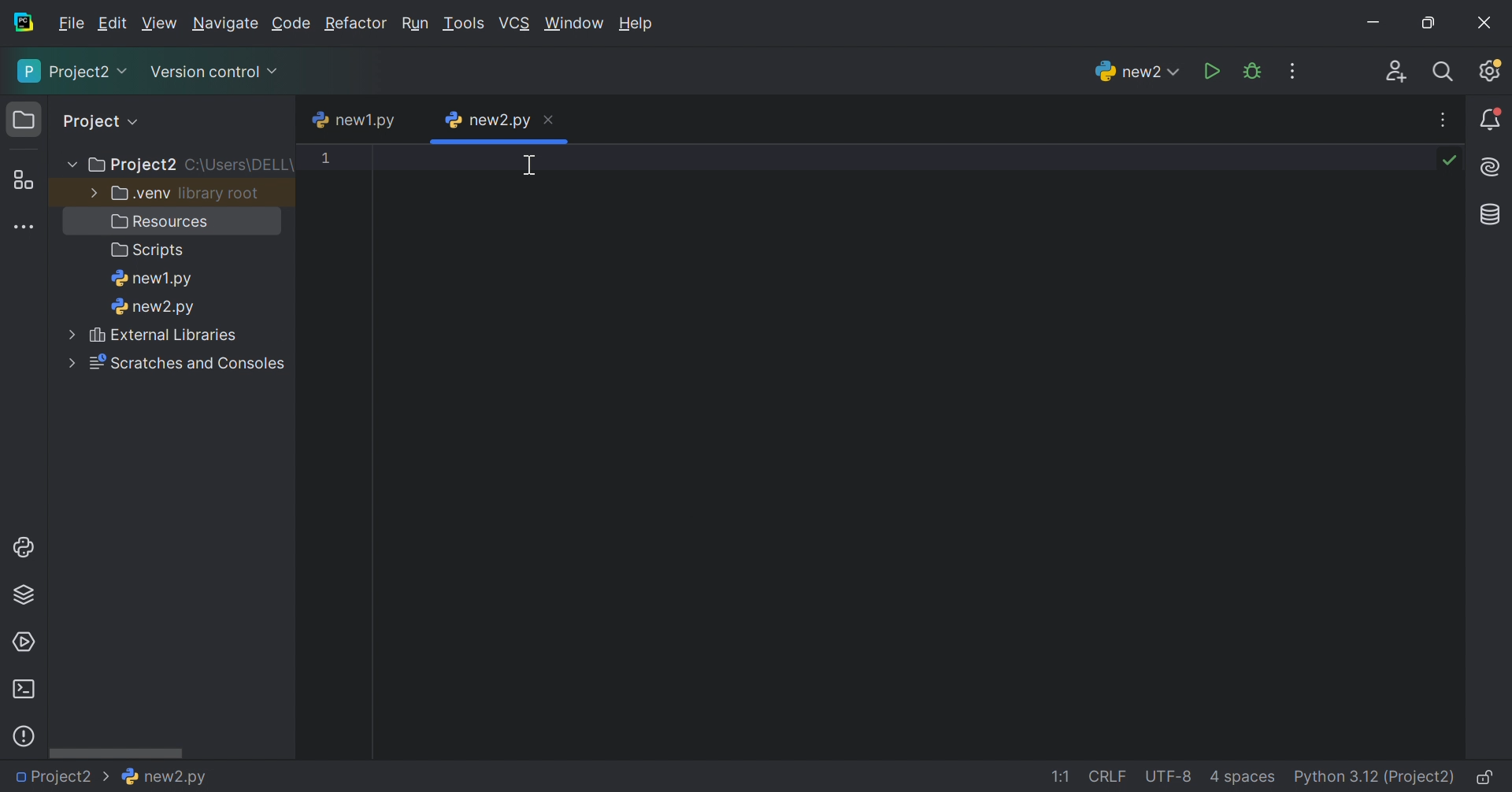  Describe the element at coordinates (102, 119) in the screenshot. I see `Project` at that location.